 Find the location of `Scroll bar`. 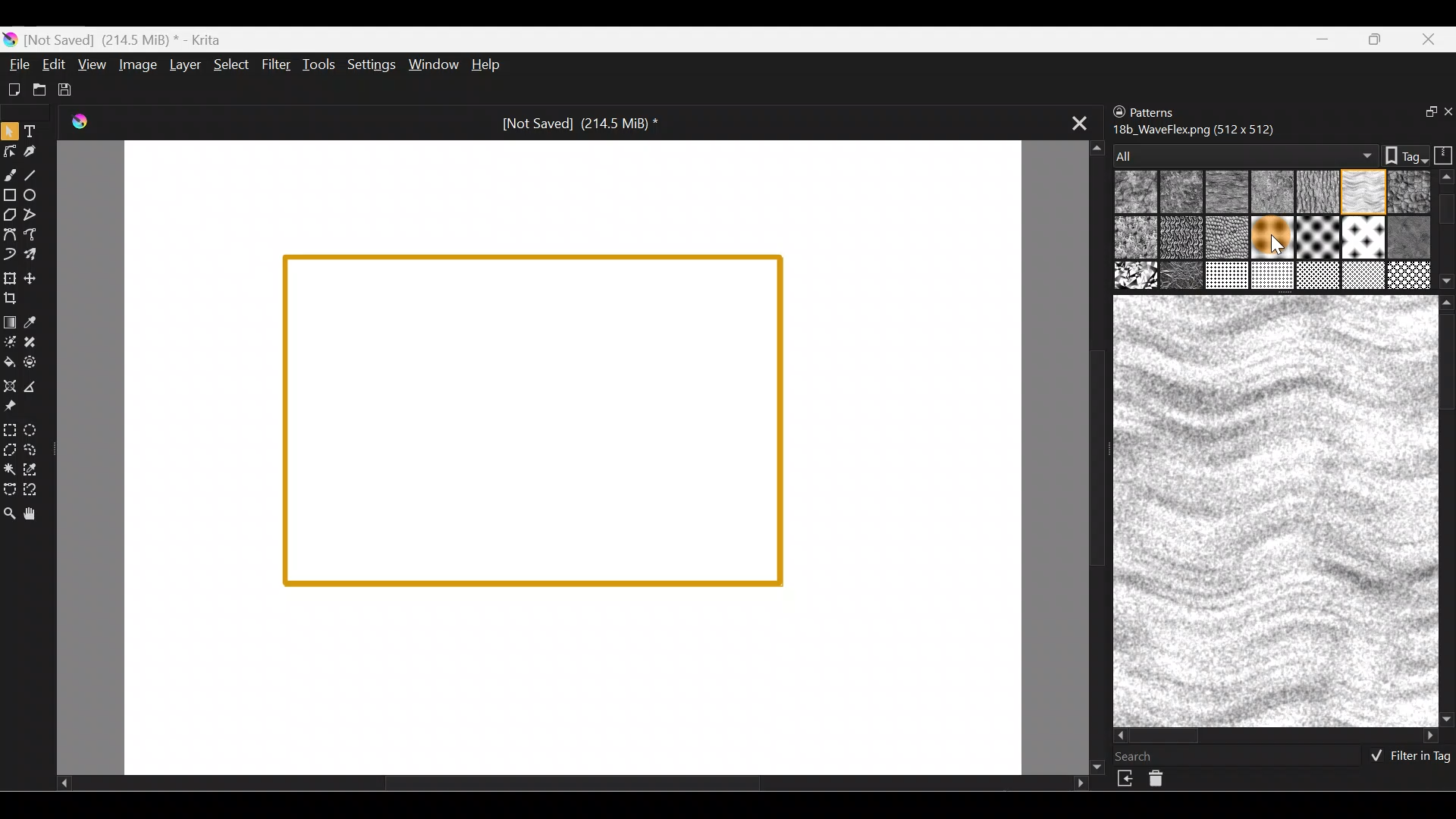

Scroll bar is located at coordinates (1446, 510).